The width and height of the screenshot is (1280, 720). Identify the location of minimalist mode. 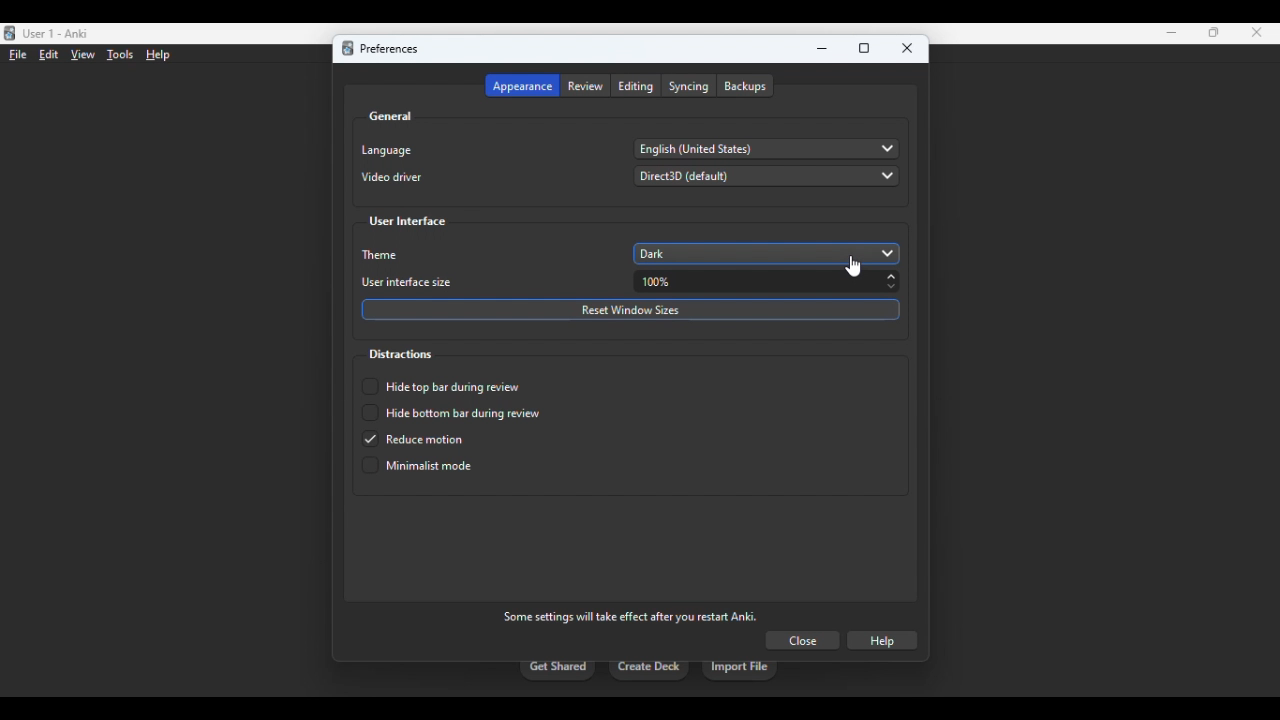
(417, 465).